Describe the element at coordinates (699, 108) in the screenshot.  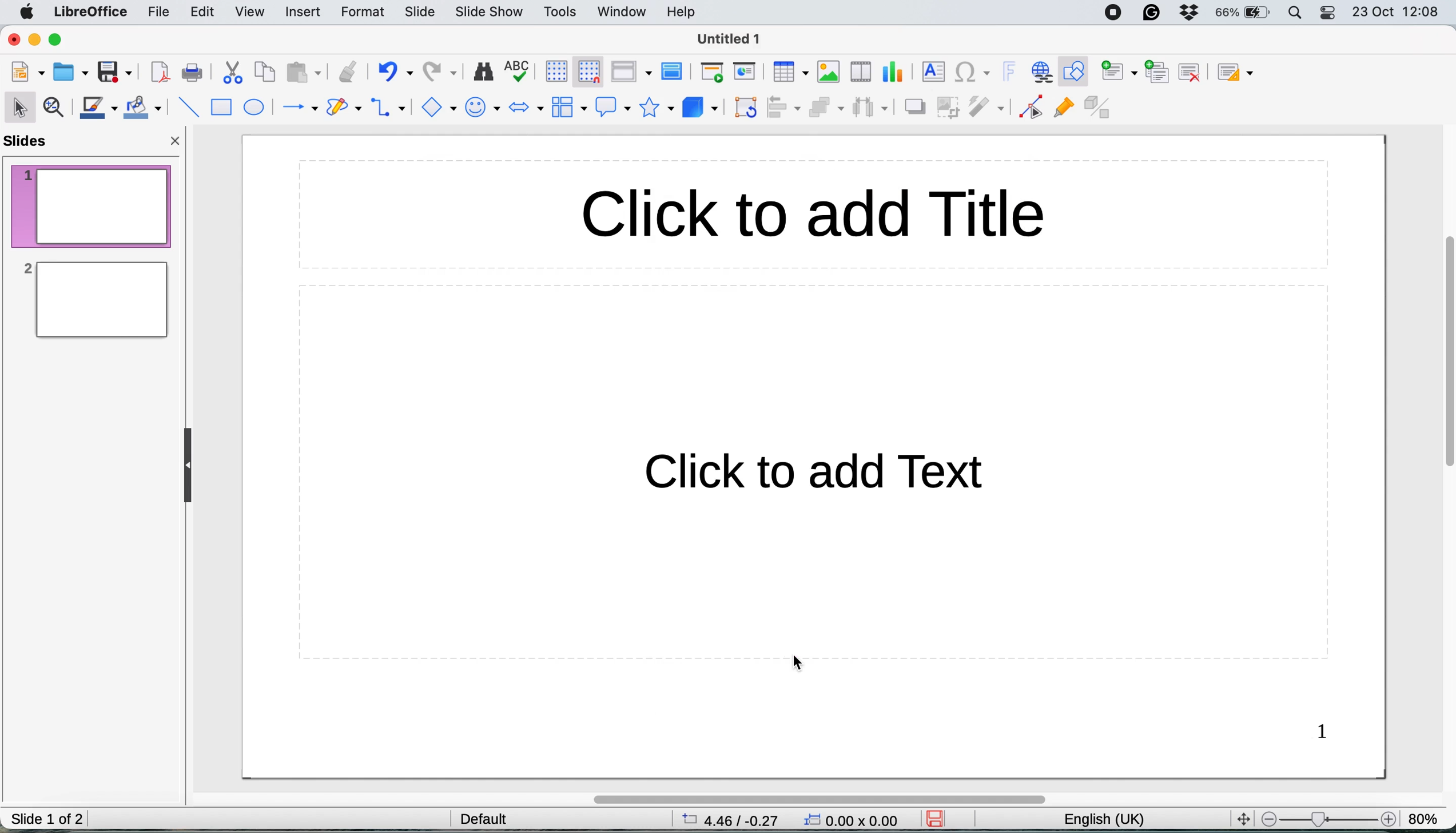
I see `3d objects` at that location.